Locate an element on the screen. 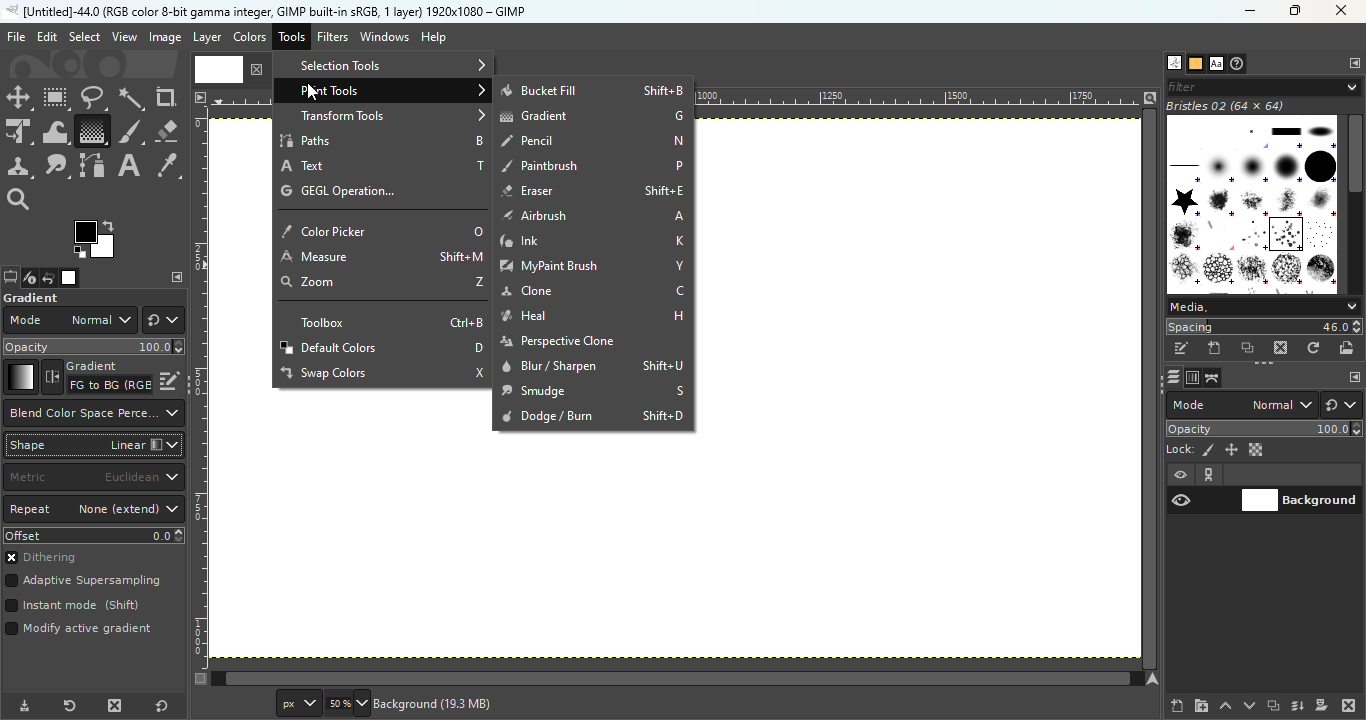  Shape is located at coordinates (93, 445).